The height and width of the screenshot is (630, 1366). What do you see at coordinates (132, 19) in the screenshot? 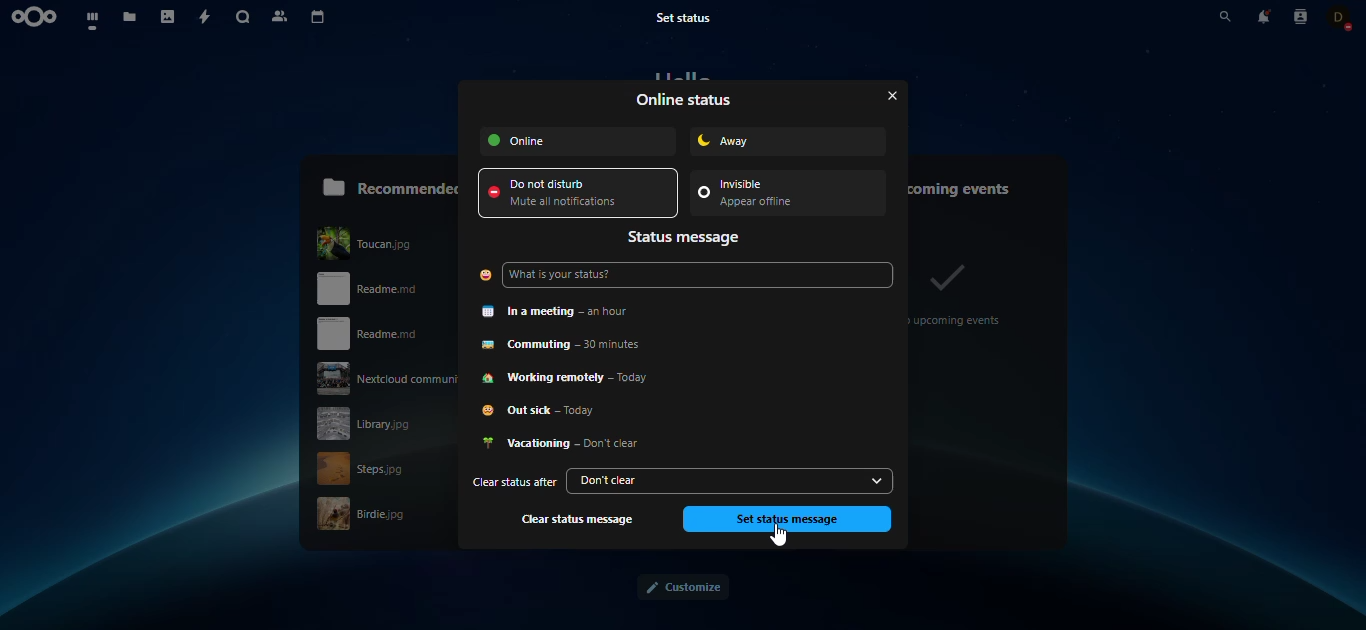
I see `files` at bounding box center [132, 19].